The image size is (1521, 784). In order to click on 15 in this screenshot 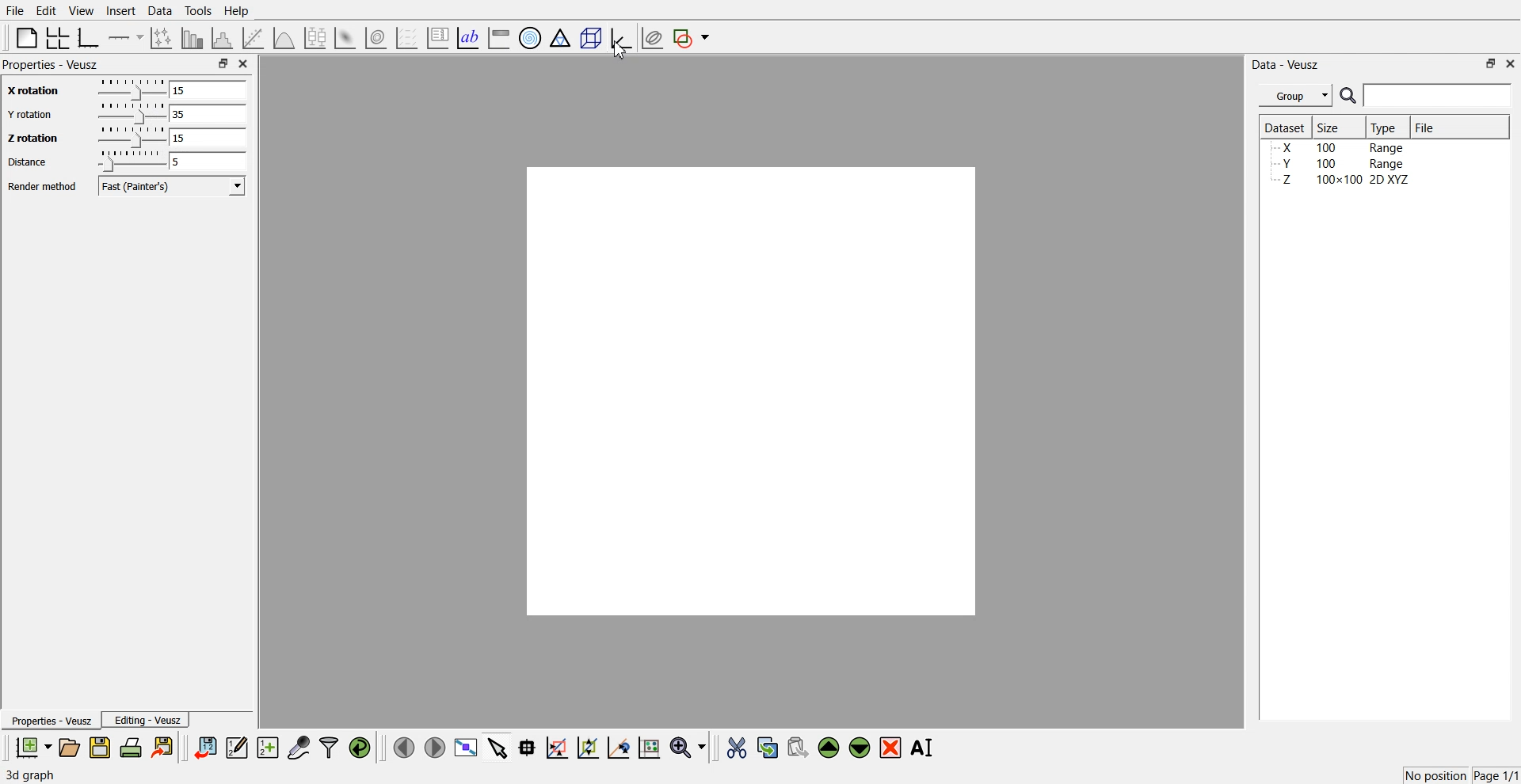, I will do `click(206, 89)`.